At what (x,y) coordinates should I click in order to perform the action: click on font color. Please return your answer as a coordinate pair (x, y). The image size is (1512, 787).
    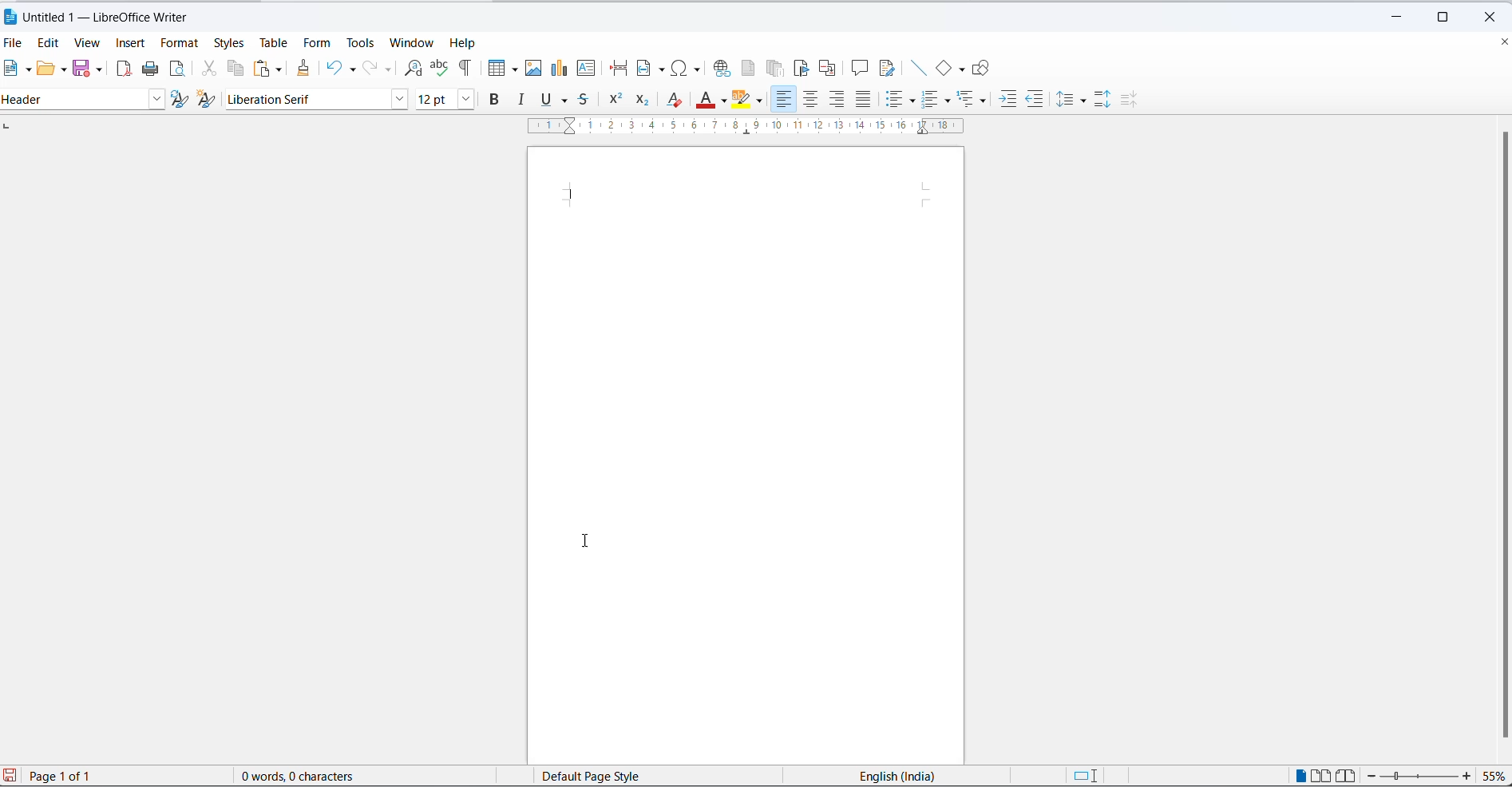
    Looking at the image, I should click on (703, 99).